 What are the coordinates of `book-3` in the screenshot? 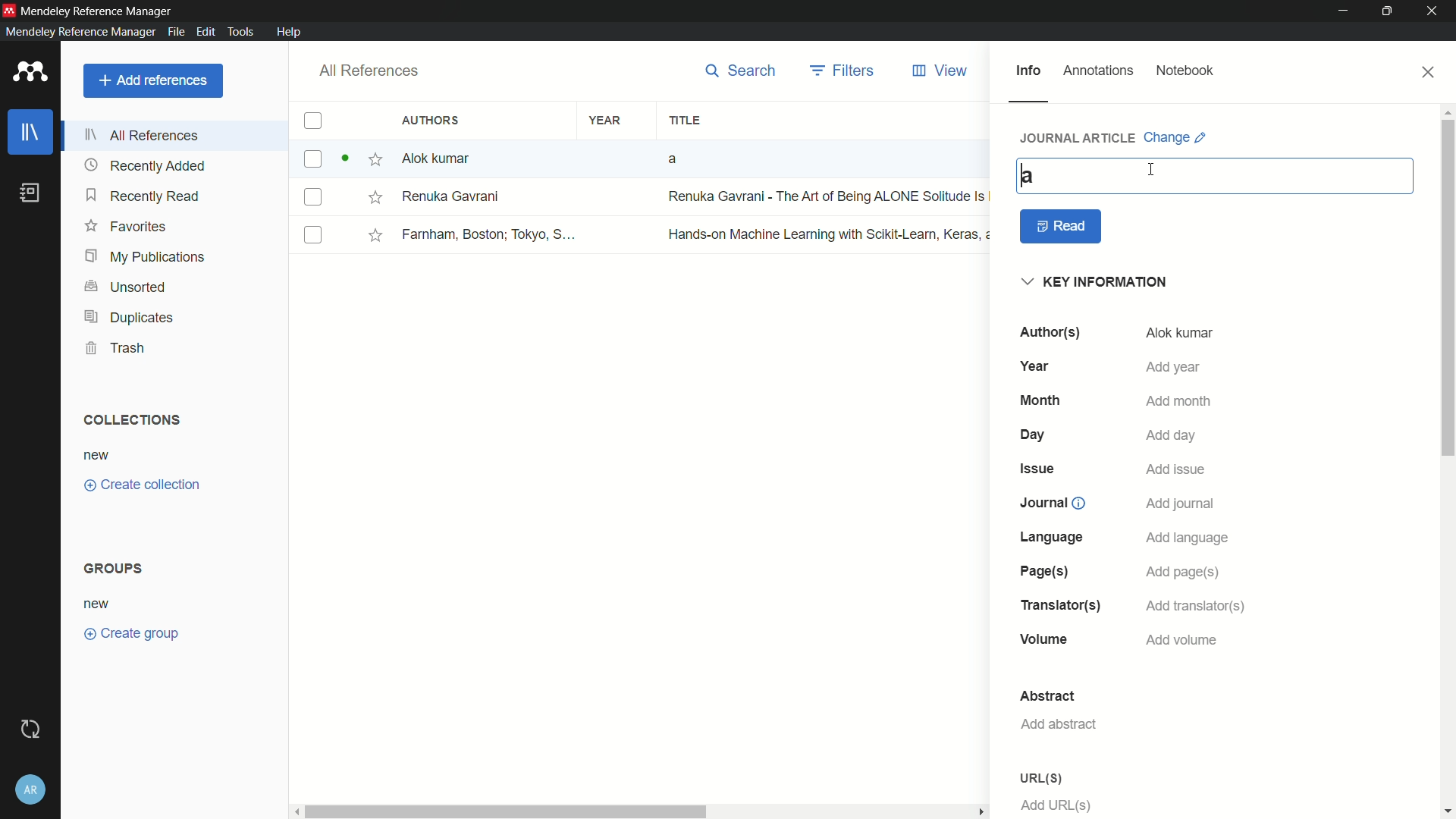 It's located at (643, 234).